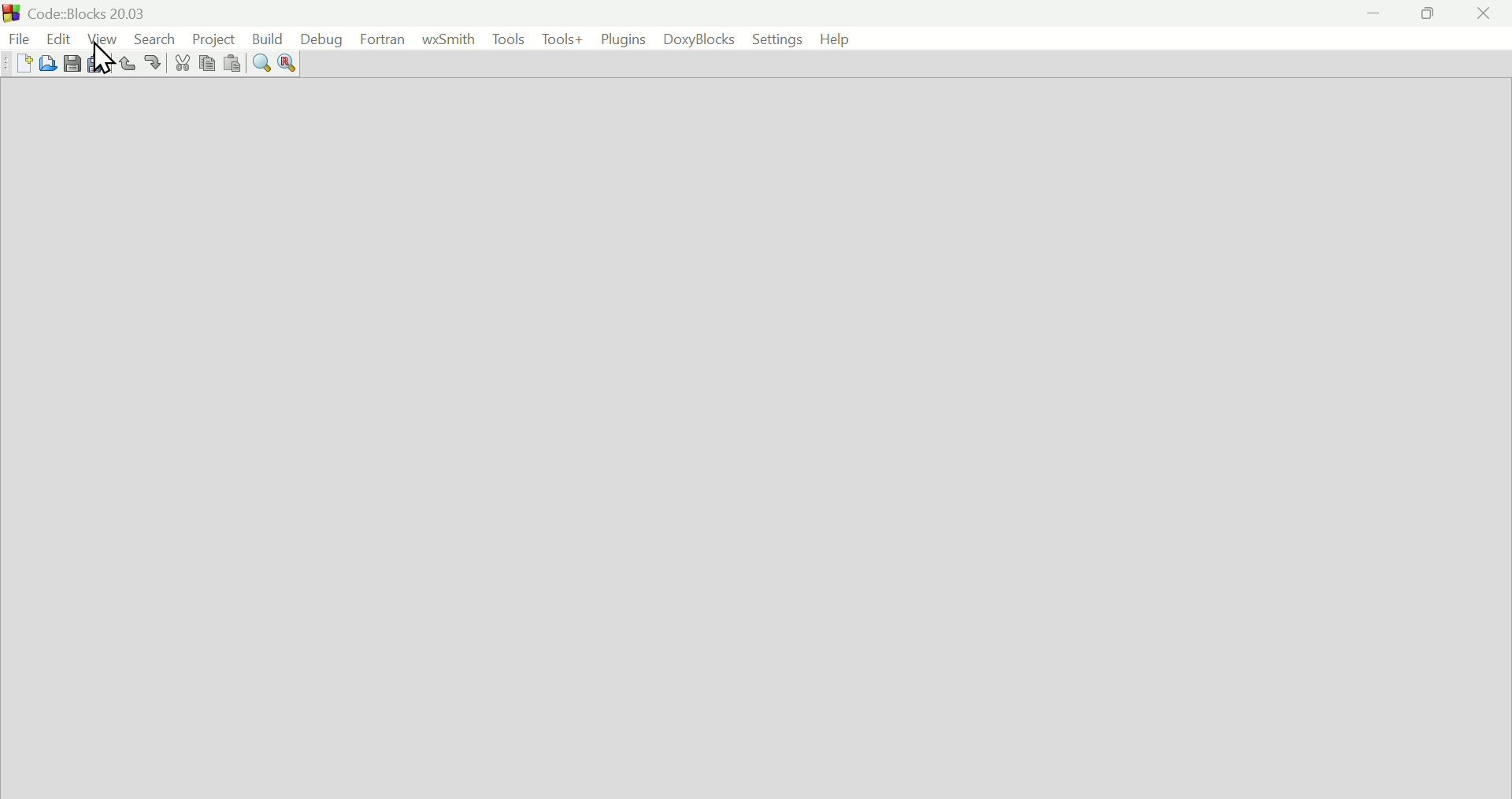  I want to click on Tools, so click(505, 38).